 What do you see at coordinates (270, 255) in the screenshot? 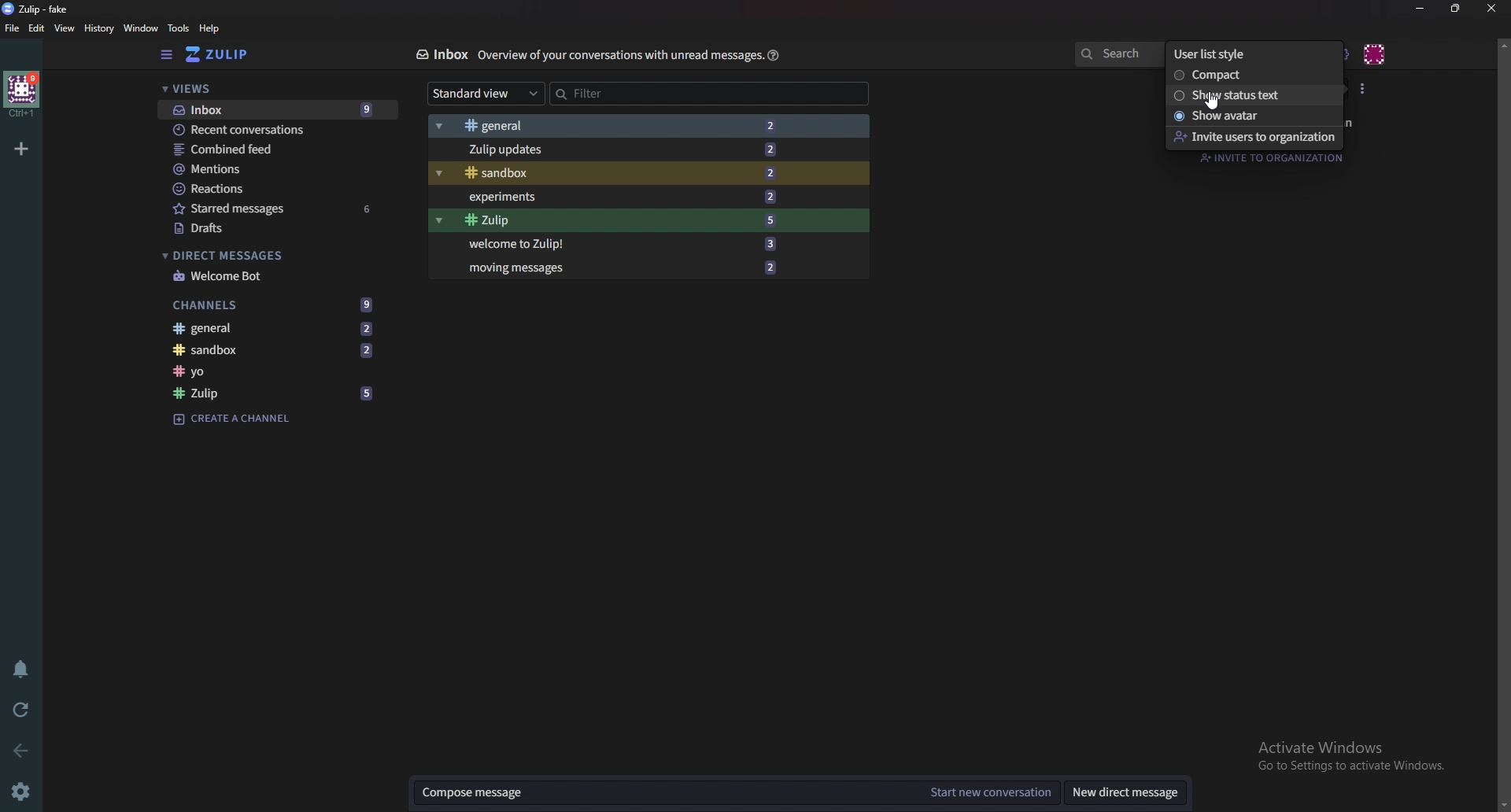
I see `direct messages` at bounding box center [270, 255].